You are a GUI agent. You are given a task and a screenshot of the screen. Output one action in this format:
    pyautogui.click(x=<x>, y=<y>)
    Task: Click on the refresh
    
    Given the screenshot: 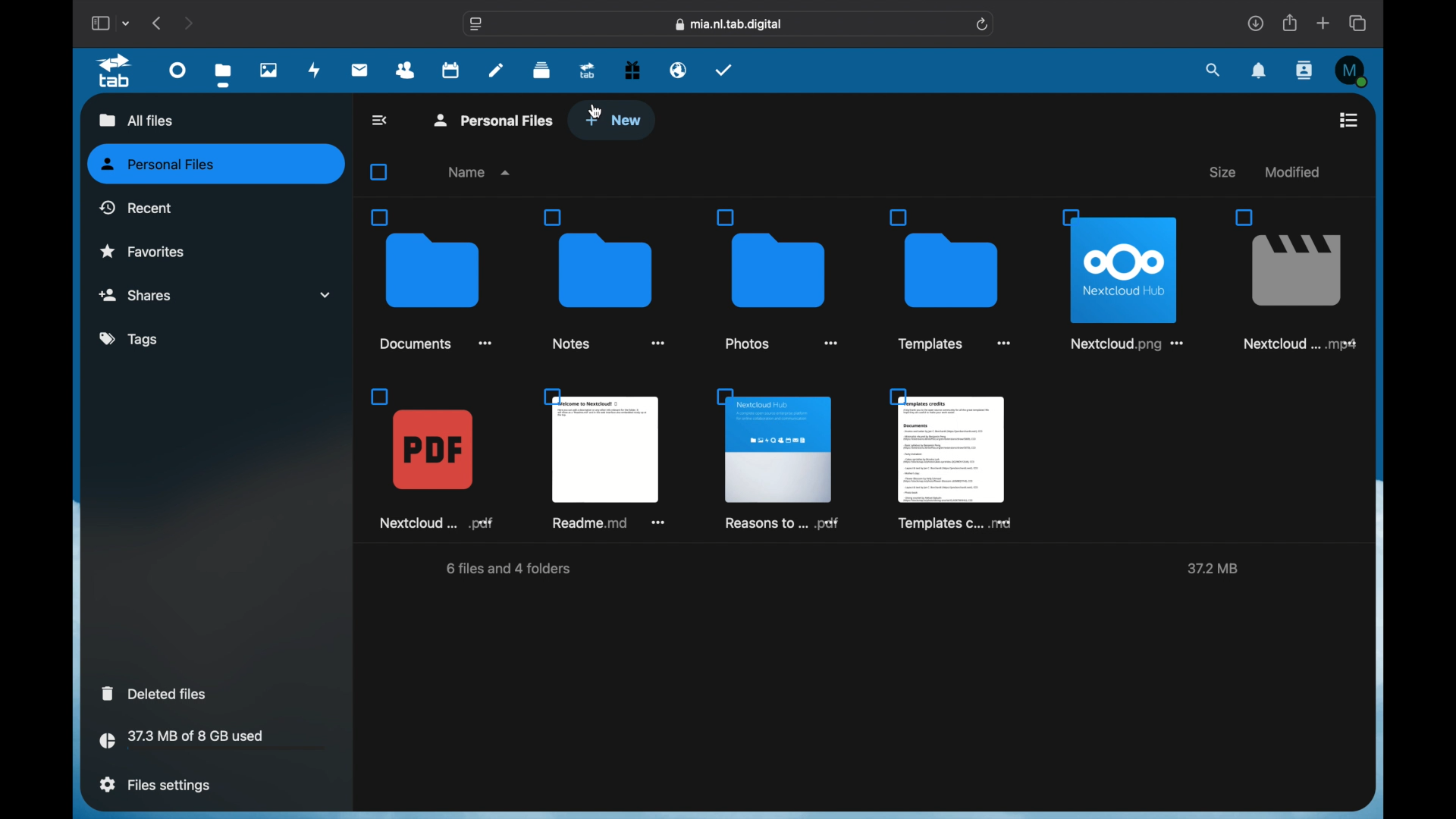 What is the action you would take?
    pyautogui.click(x=984, y=25)
    